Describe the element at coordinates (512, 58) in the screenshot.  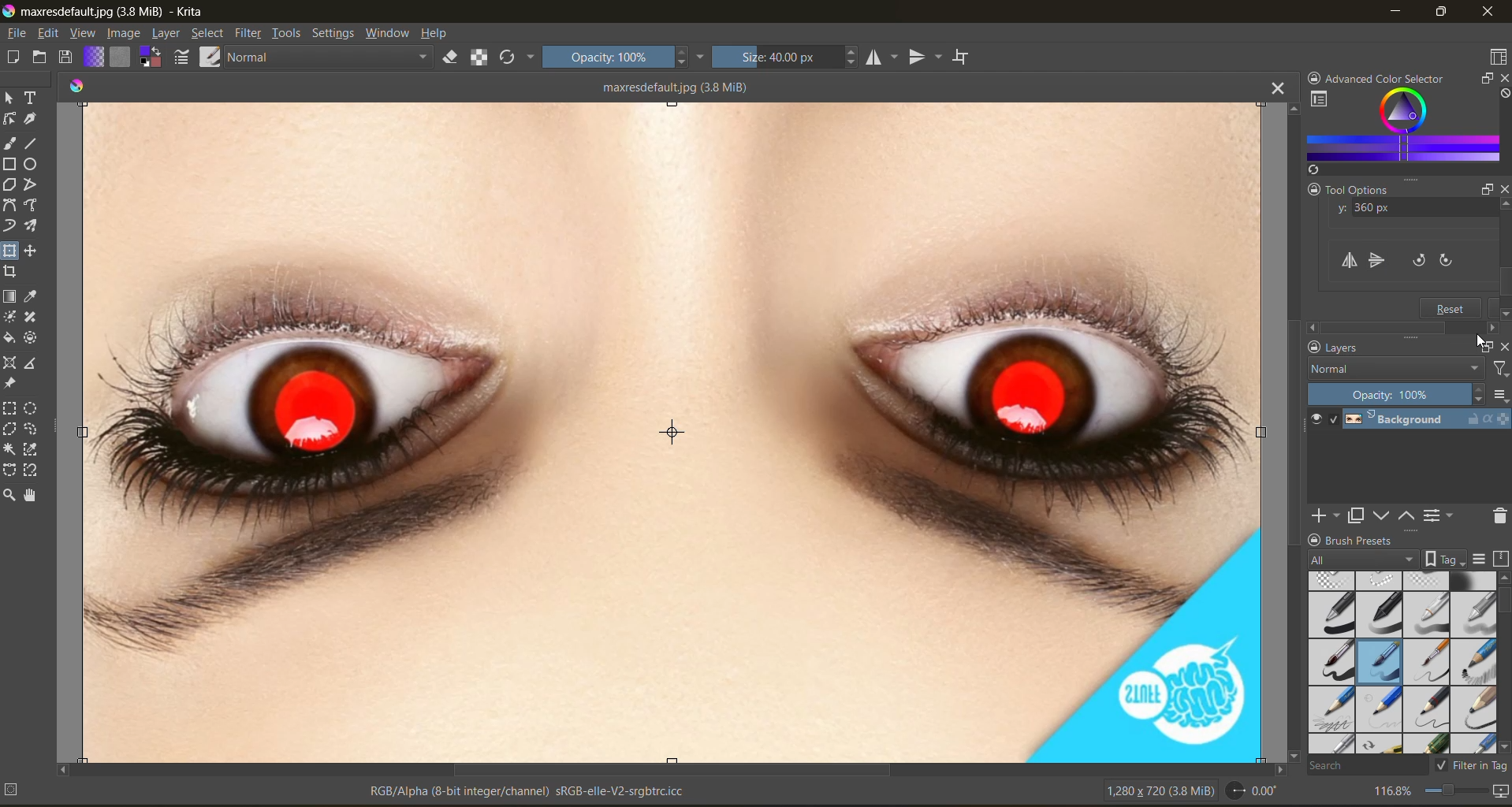
I see `reload original preset` at that location.